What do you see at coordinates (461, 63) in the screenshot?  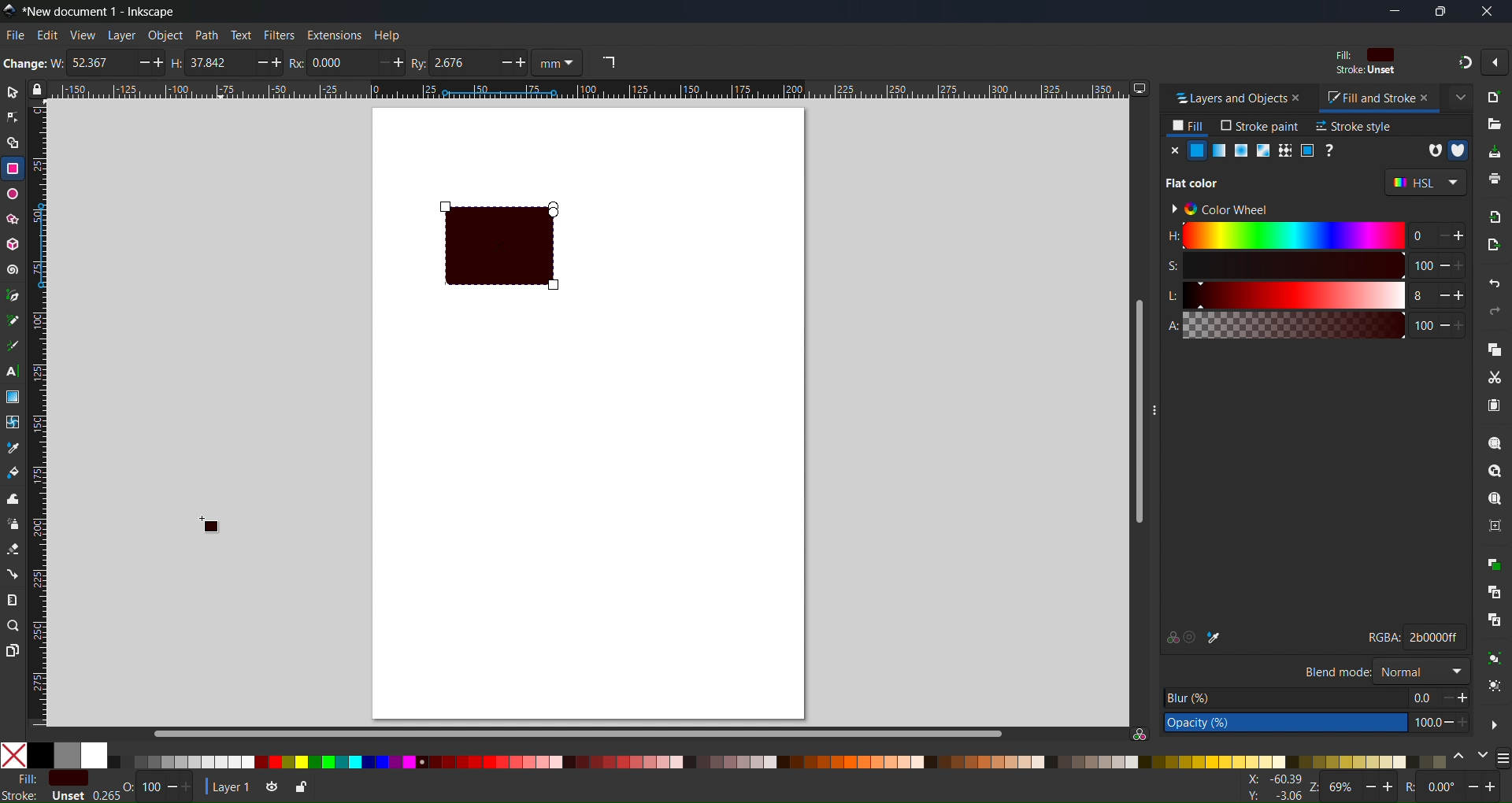 I see `Vertical radius of rounded corner 2.676` at bounding box center [461, 63].